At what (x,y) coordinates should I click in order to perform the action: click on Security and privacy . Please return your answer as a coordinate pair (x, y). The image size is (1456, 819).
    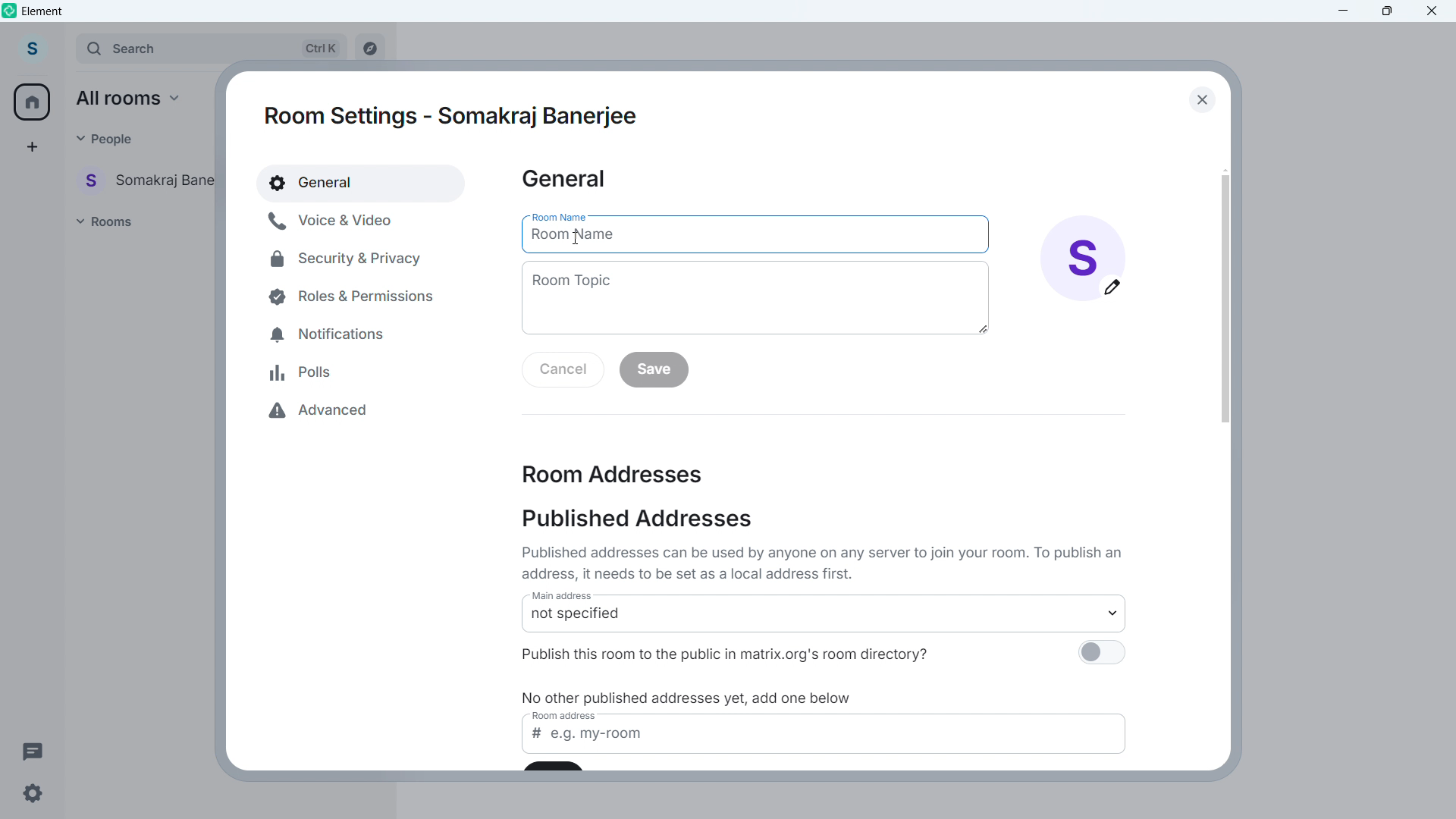
    Looking at the image, I should click on (348, 258).